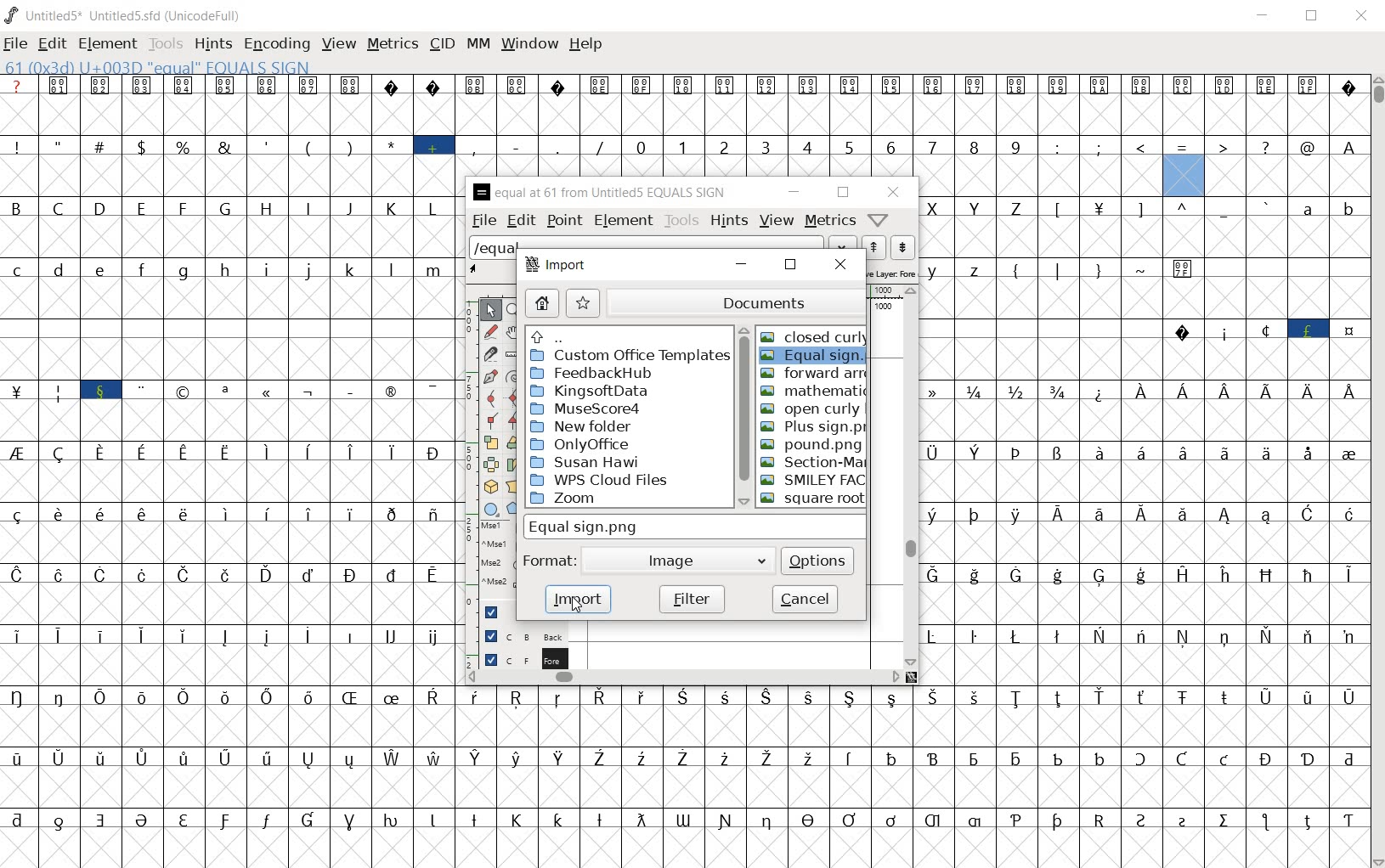 This screenshot has width=1385, height=868. Describe the element at coordinates (814, 336) in the screenshot. I see `CLOSED CURLY` at that location.